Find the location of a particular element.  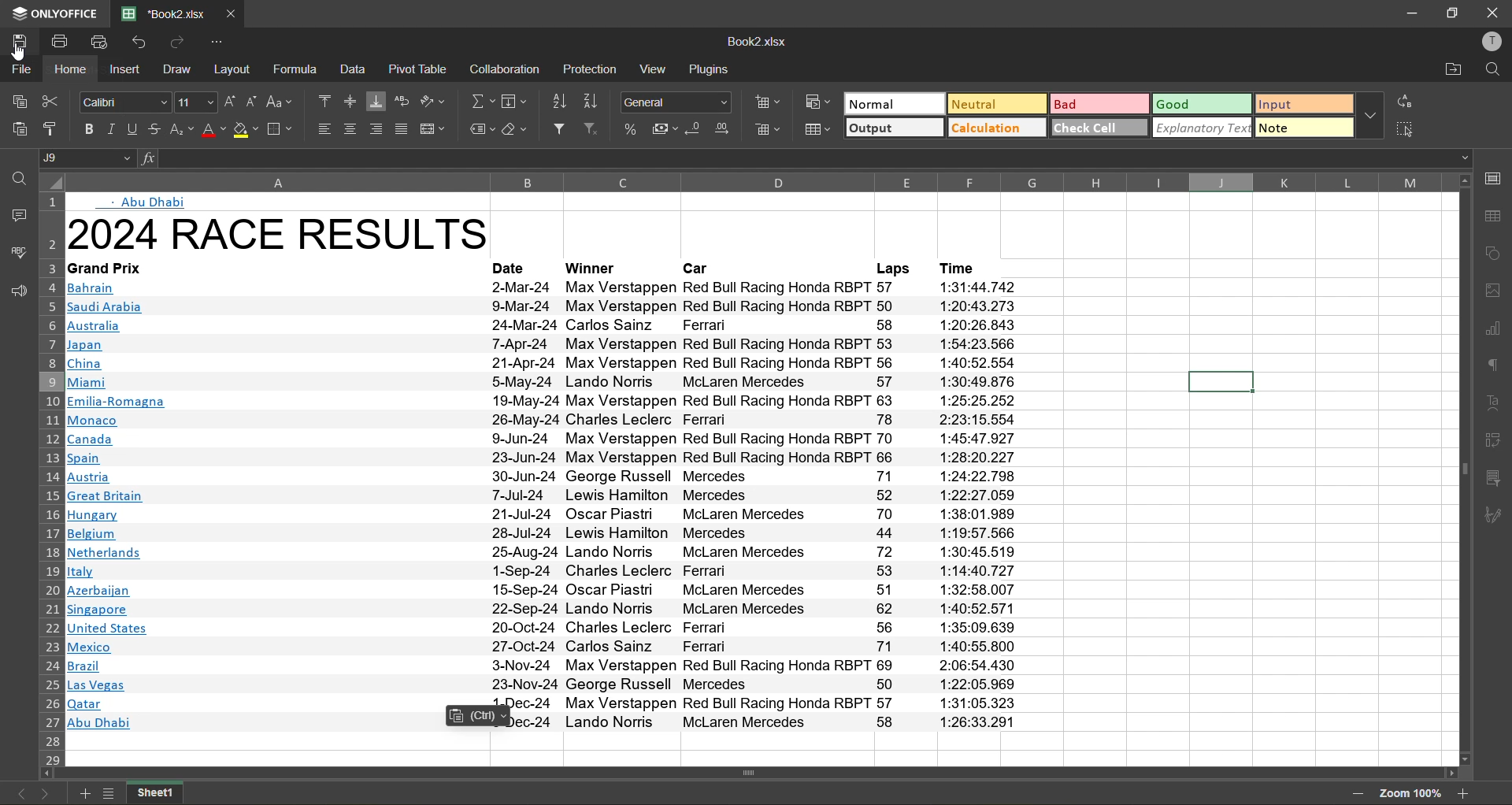

sort ascending is located at coordinates (556, 100).